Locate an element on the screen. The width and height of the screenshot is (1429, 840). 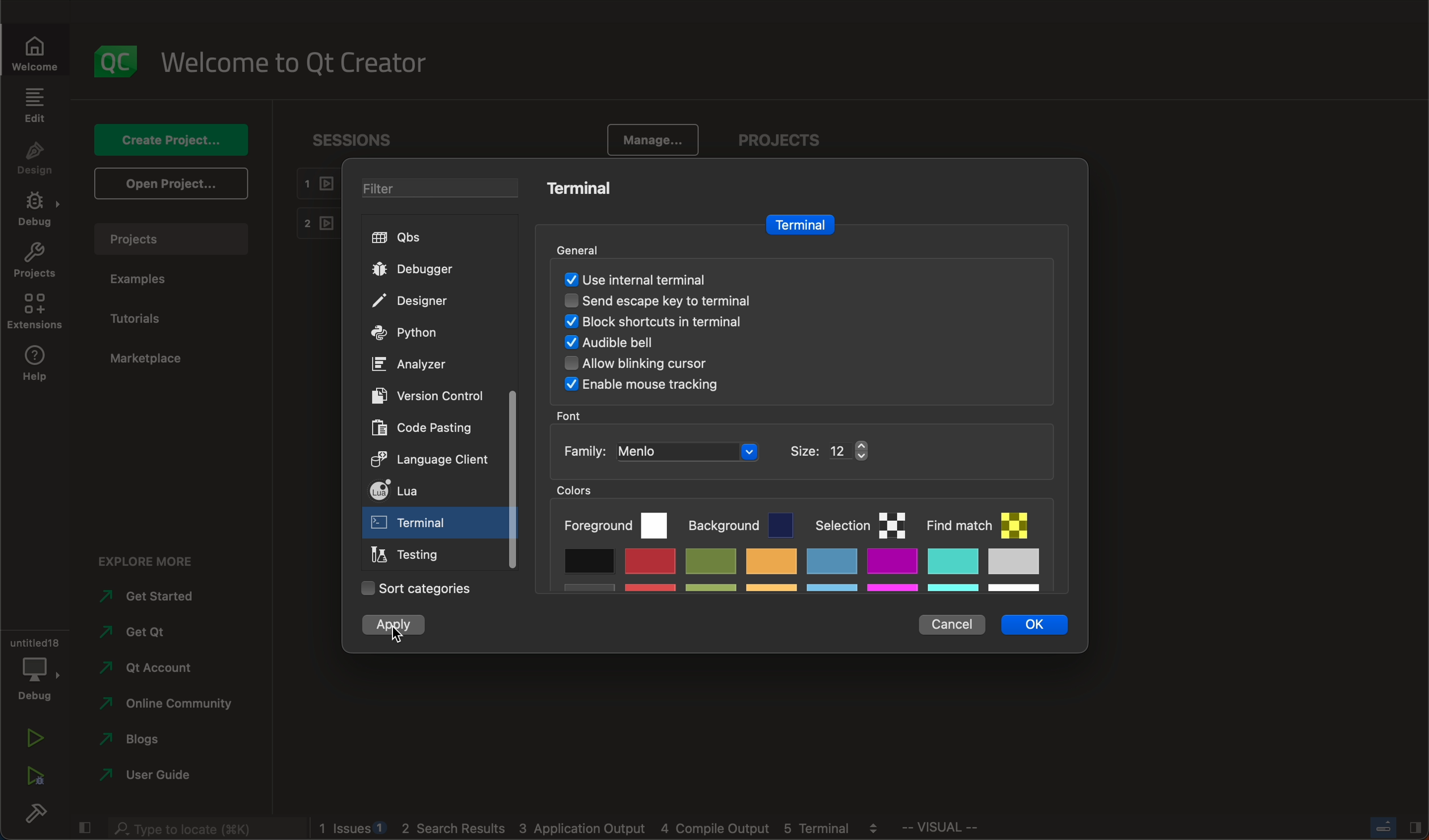
version is located at coordinates (434, 394).